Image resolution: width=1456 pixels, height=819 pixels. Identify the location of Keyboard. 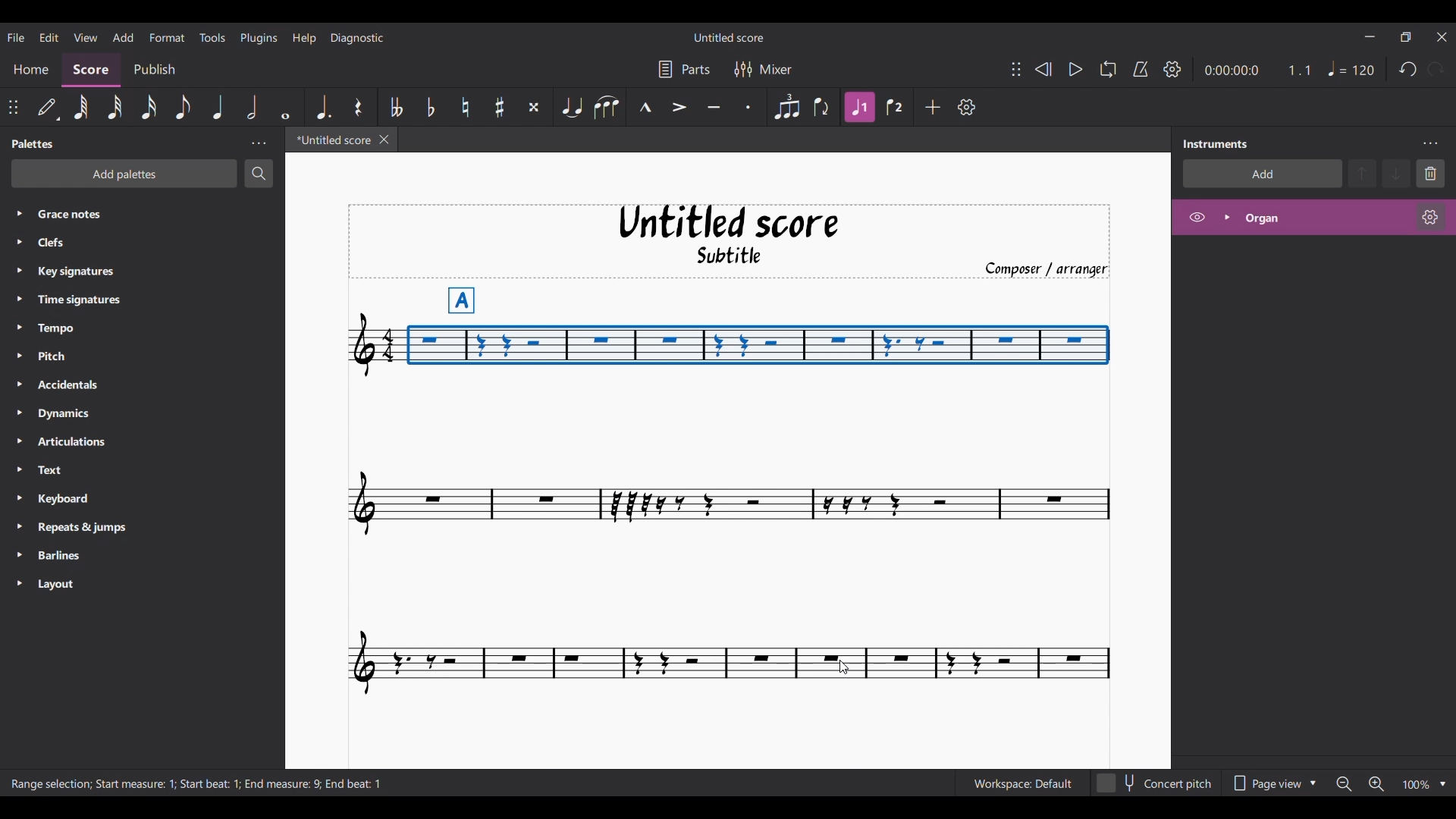
(82, 500).